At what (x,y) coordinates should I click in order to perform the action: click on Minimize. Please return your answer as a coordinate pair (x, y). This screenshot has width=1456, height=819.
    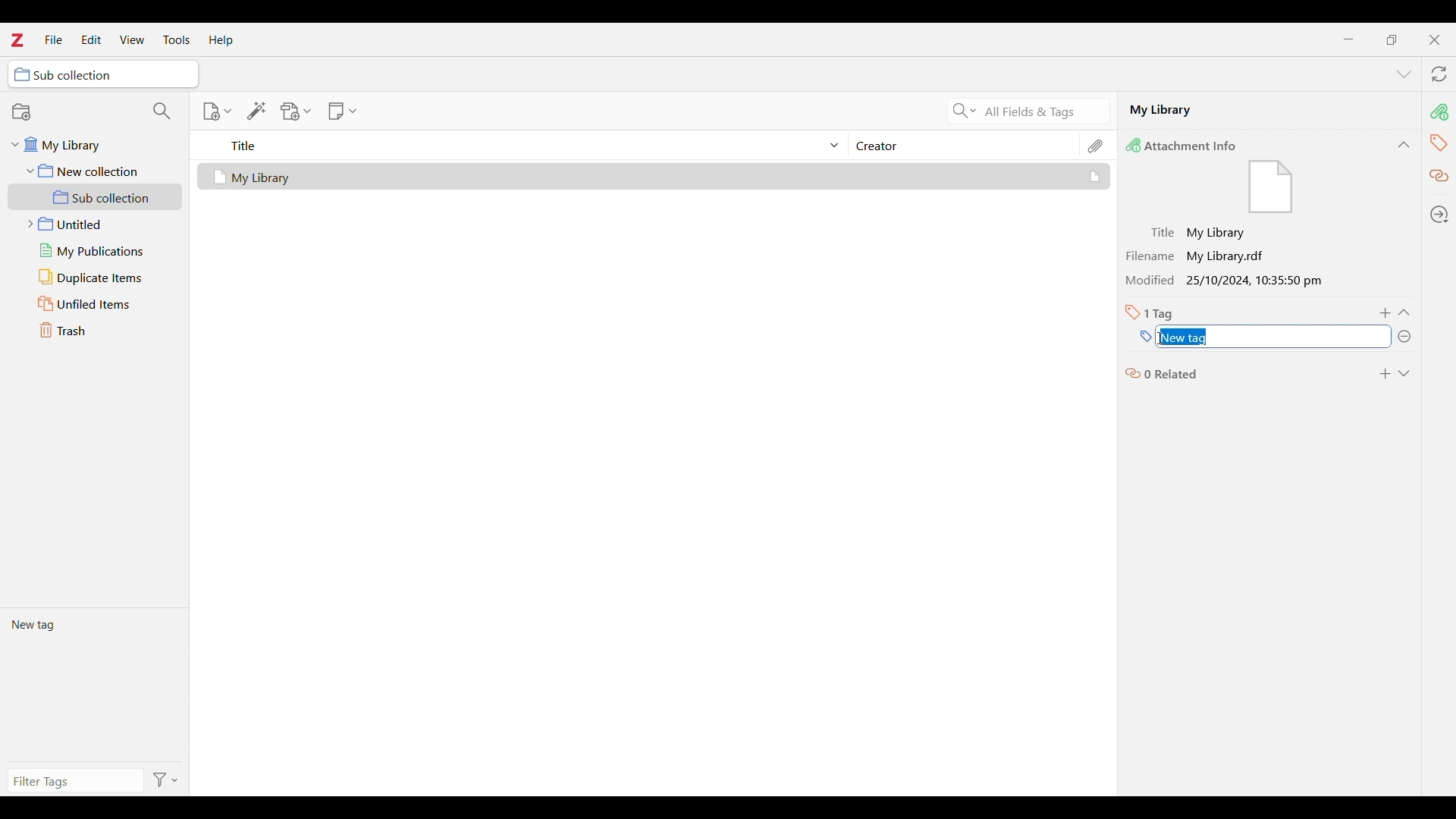
    Looking at the image, I should click on (1349, 39).